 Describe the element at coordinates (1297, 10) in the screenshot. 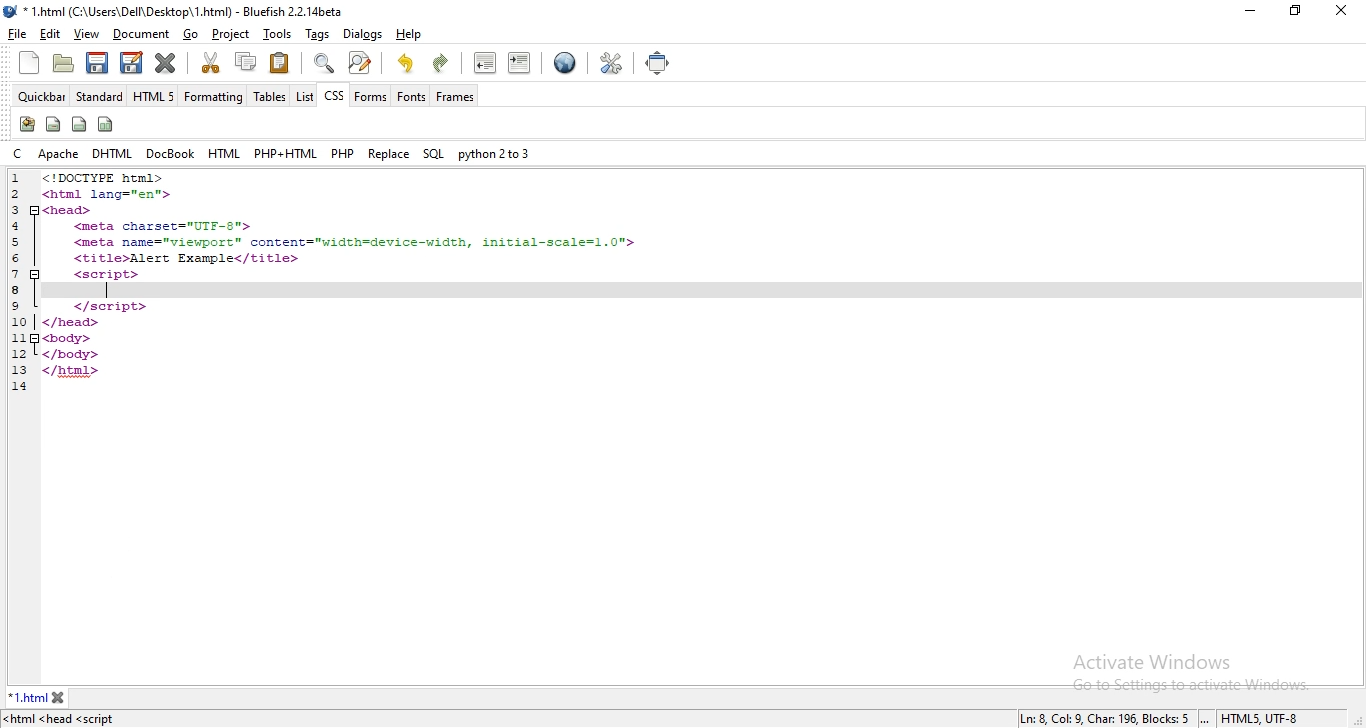

I see `restore windows` at that location.